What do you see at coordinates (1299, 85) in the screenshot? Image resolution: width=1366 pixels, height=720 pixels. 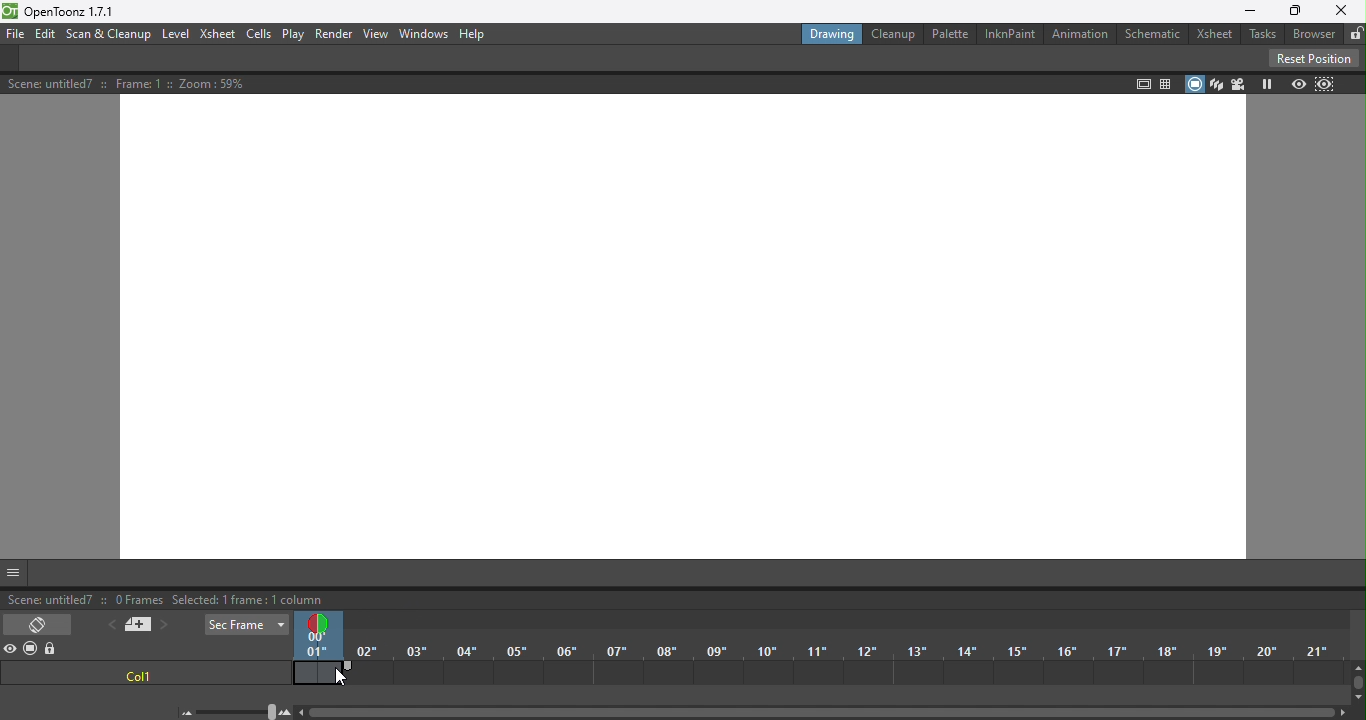 I see `Preview` at bounding box center [1299, 85].